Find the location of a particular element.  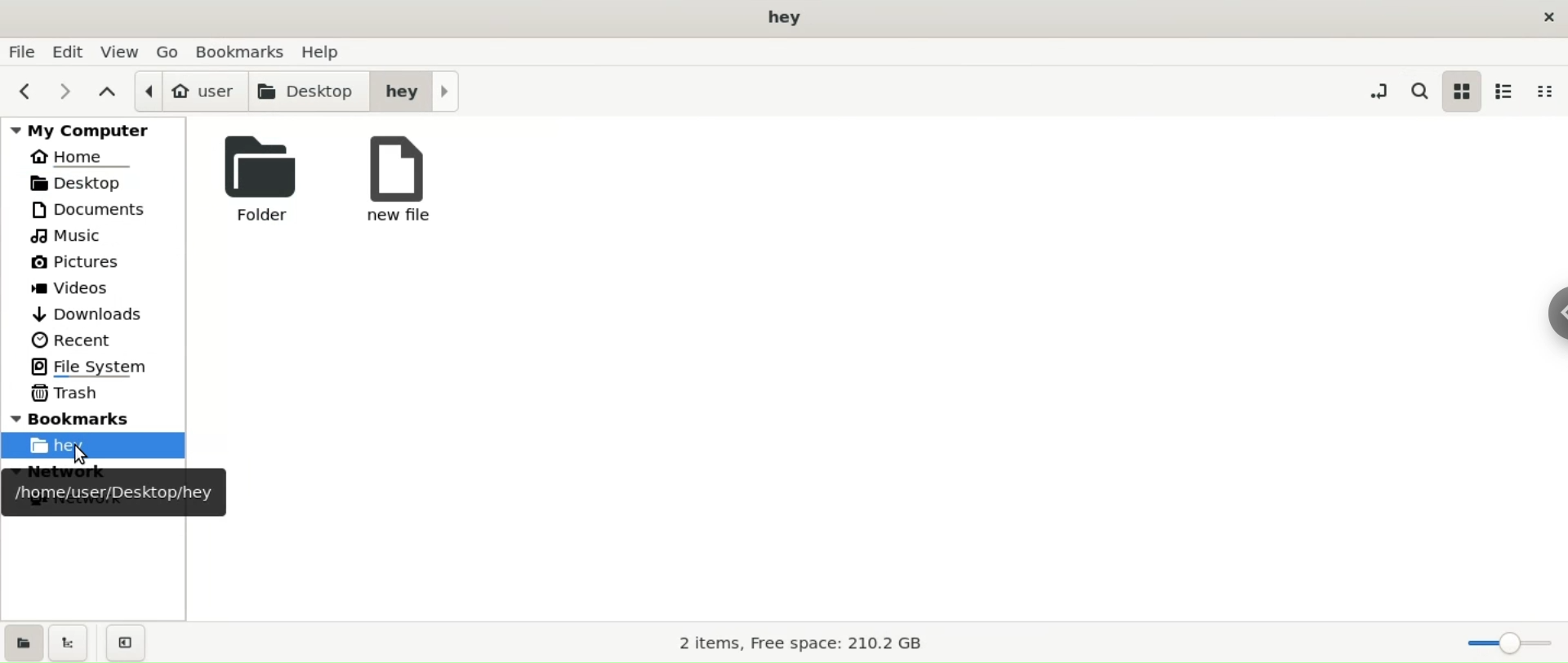

hey is located at coordinates (420, 90).